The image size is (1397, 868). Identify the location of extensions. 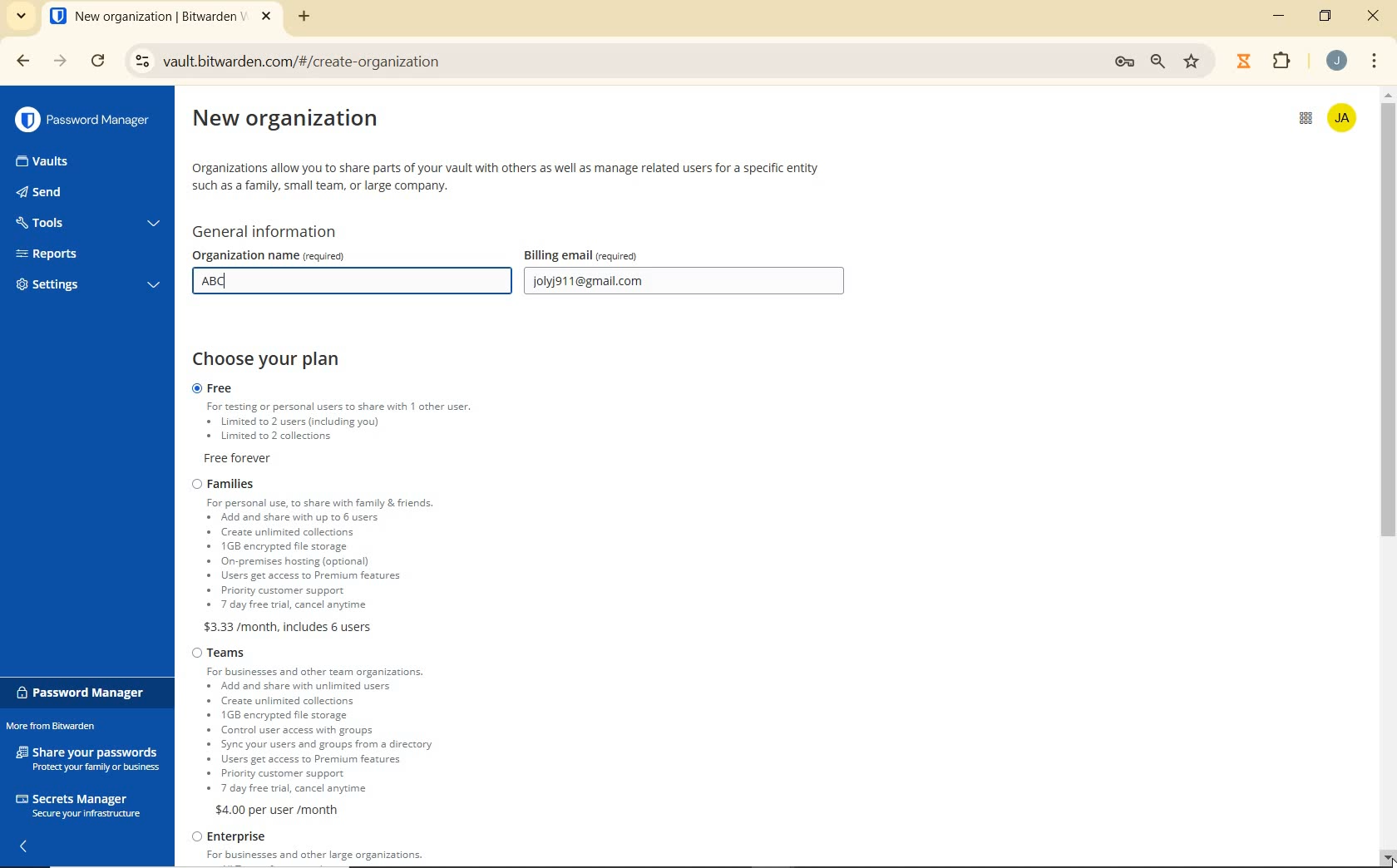
(1279, 62).